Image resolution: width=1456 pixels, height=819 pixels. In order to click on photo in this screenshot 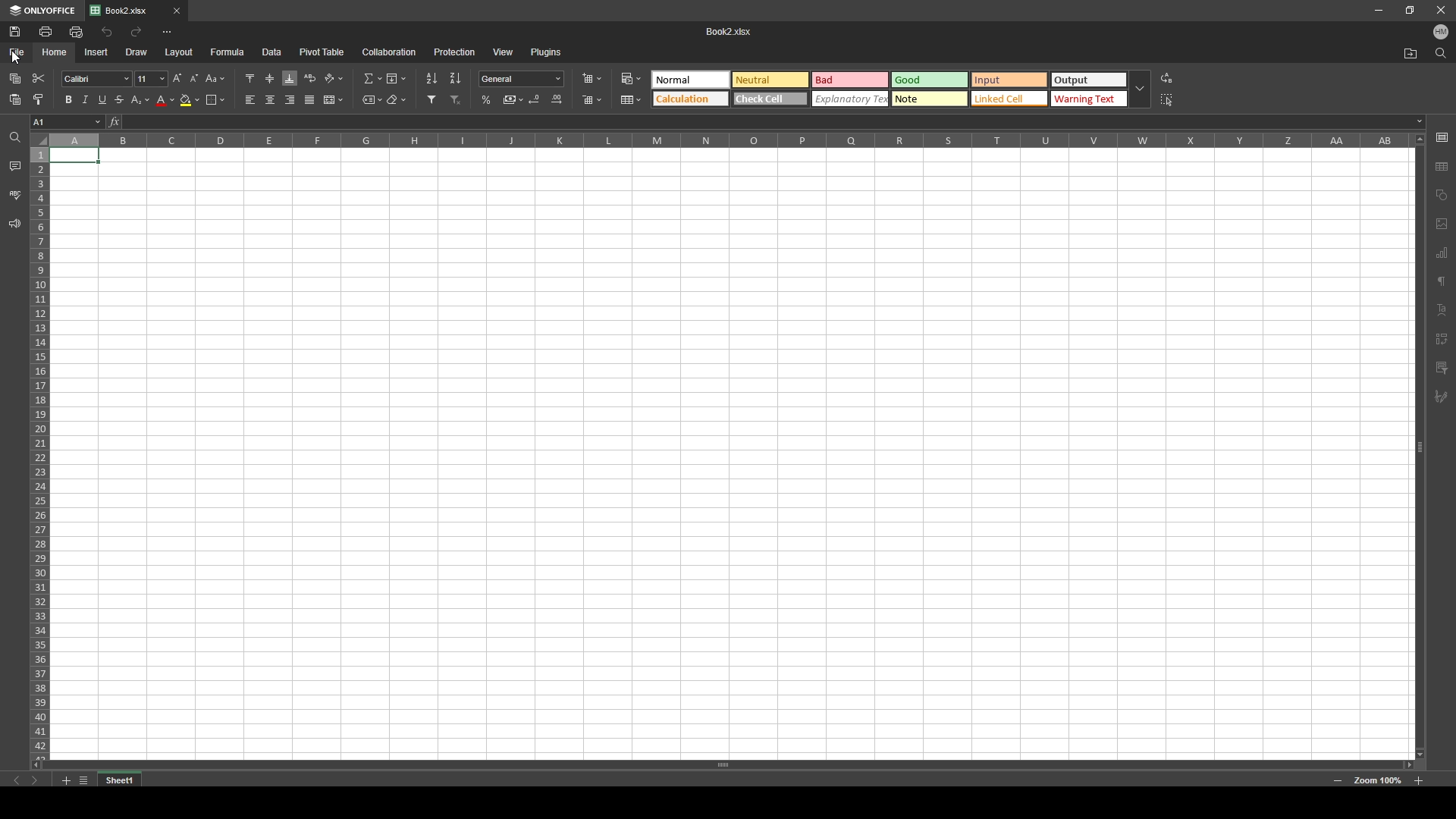, I will do `click(1442, 225)`.